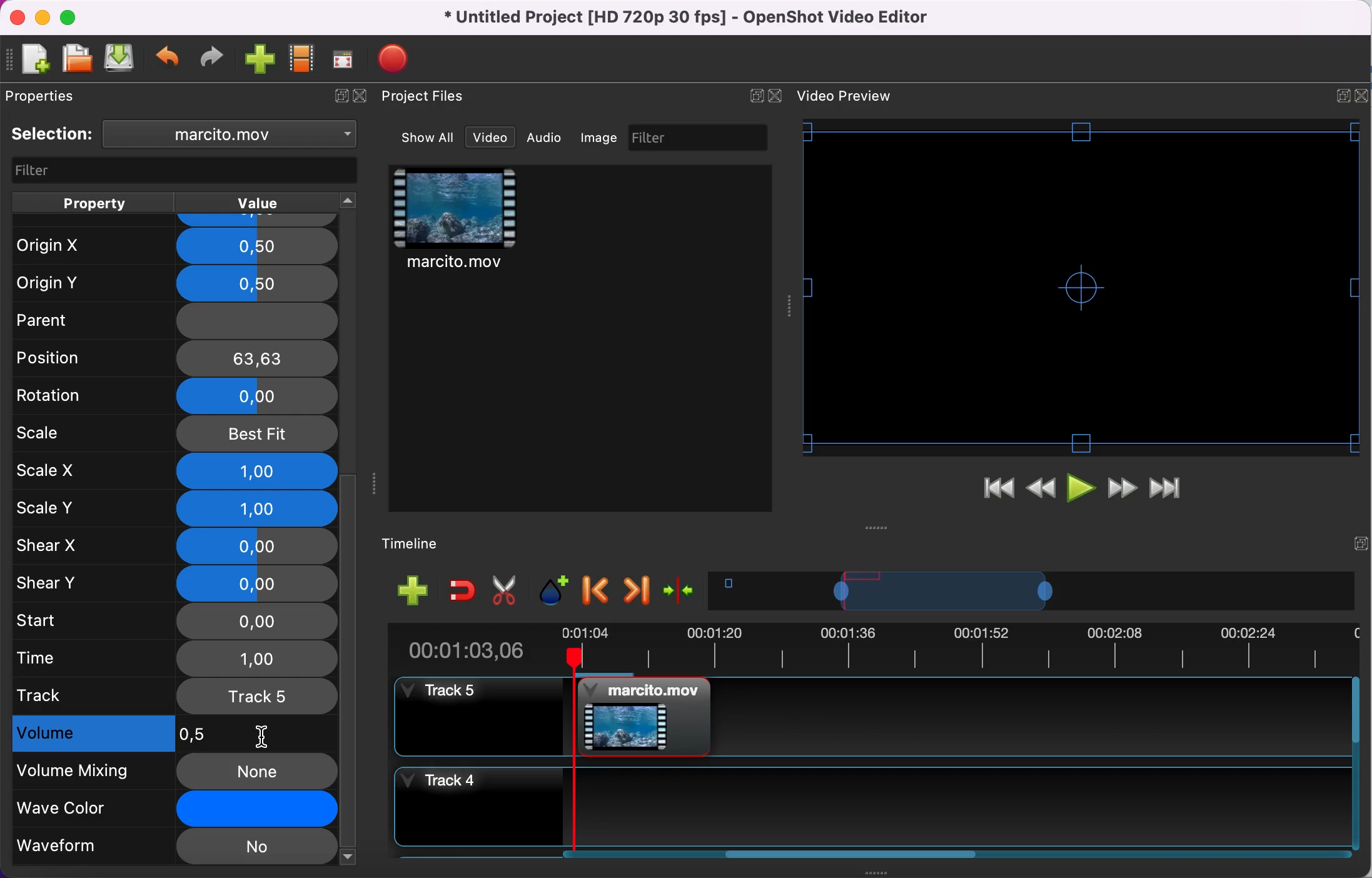 The height and width of the screenshot is (878, 1372). What do you see at coordinates (236, 133) in the screenshot?
I see `clip name` at bounding box center [236, 133].